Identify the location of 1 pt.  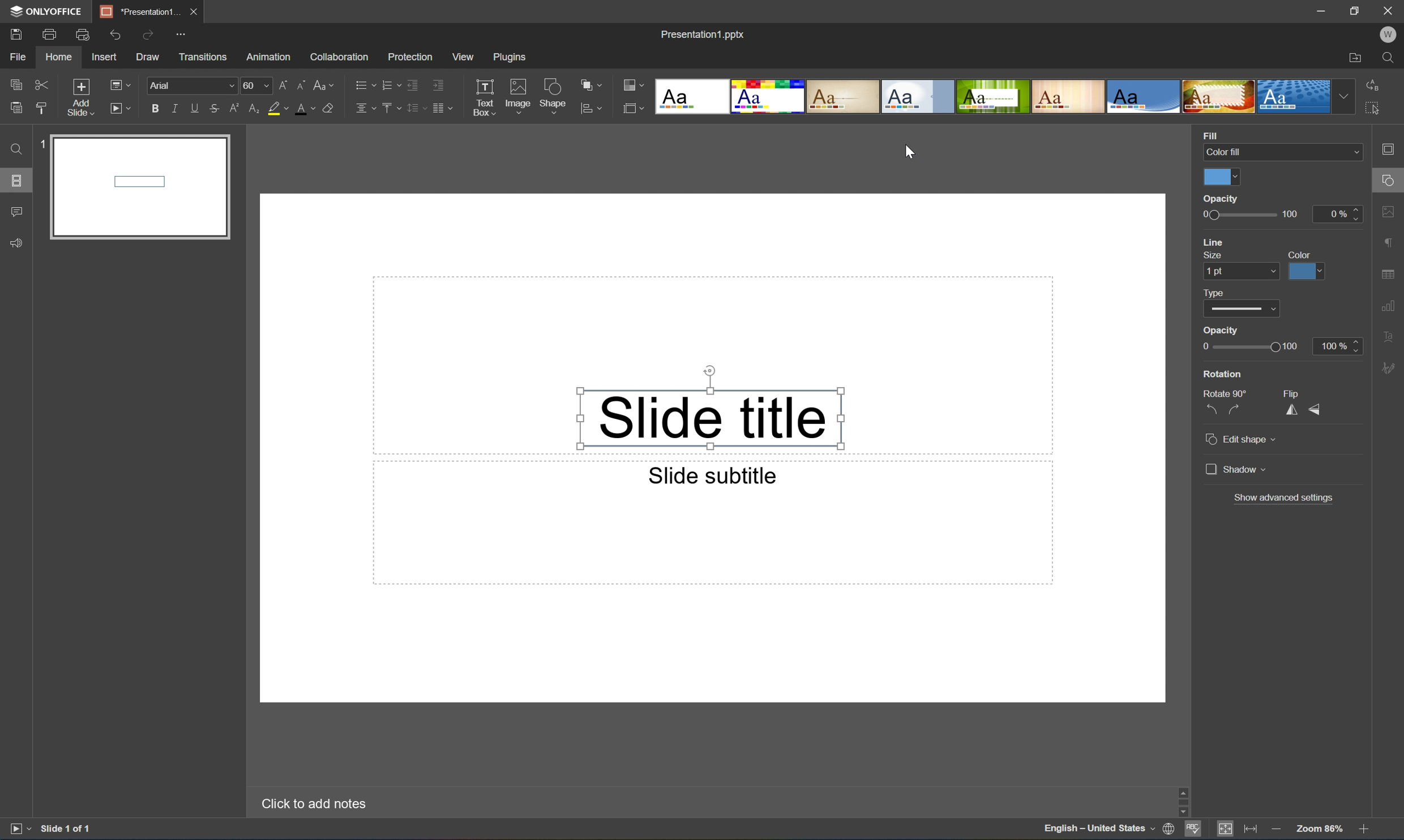
(1236, 271).